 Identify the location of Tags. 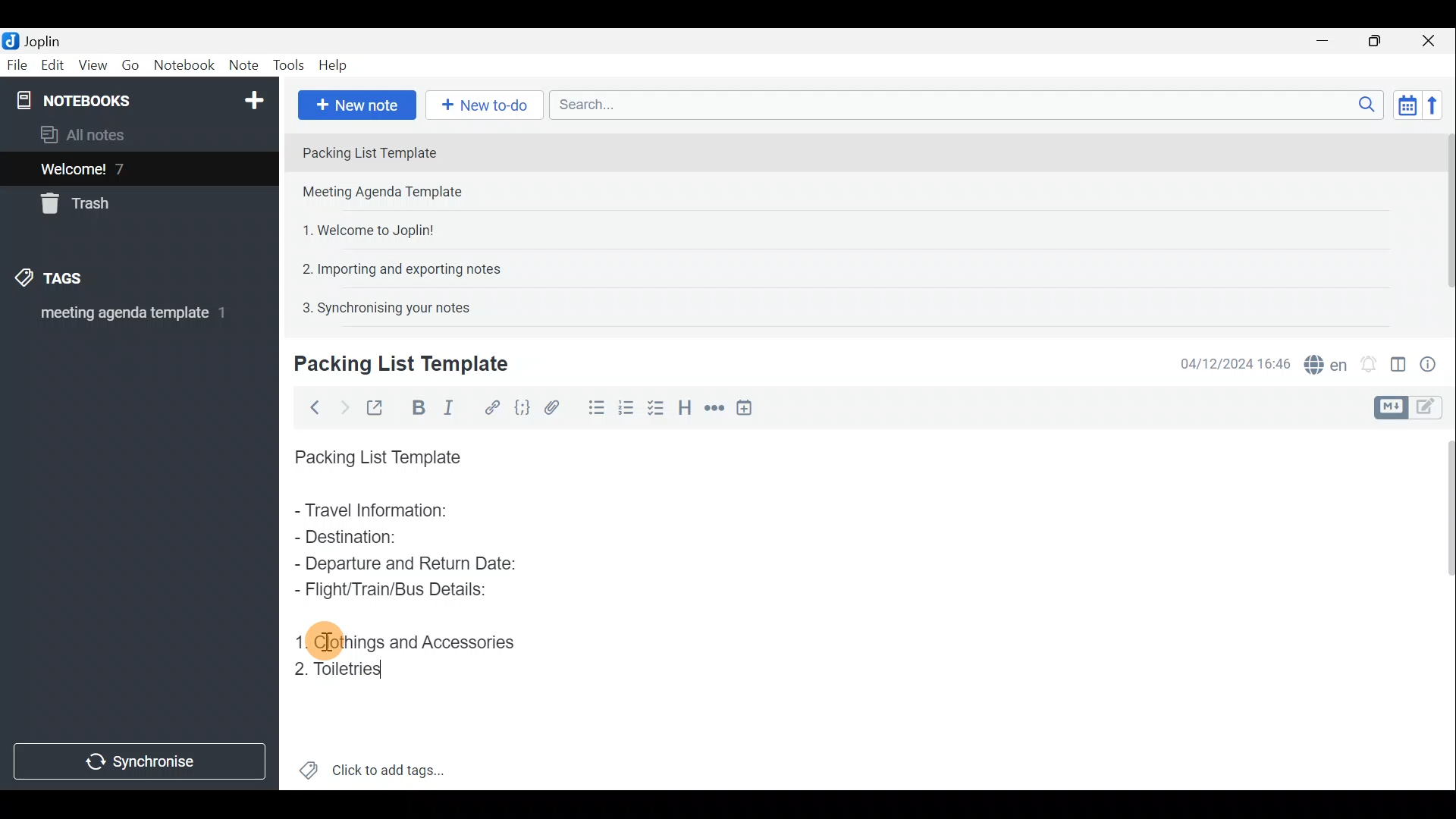
(74, 281).